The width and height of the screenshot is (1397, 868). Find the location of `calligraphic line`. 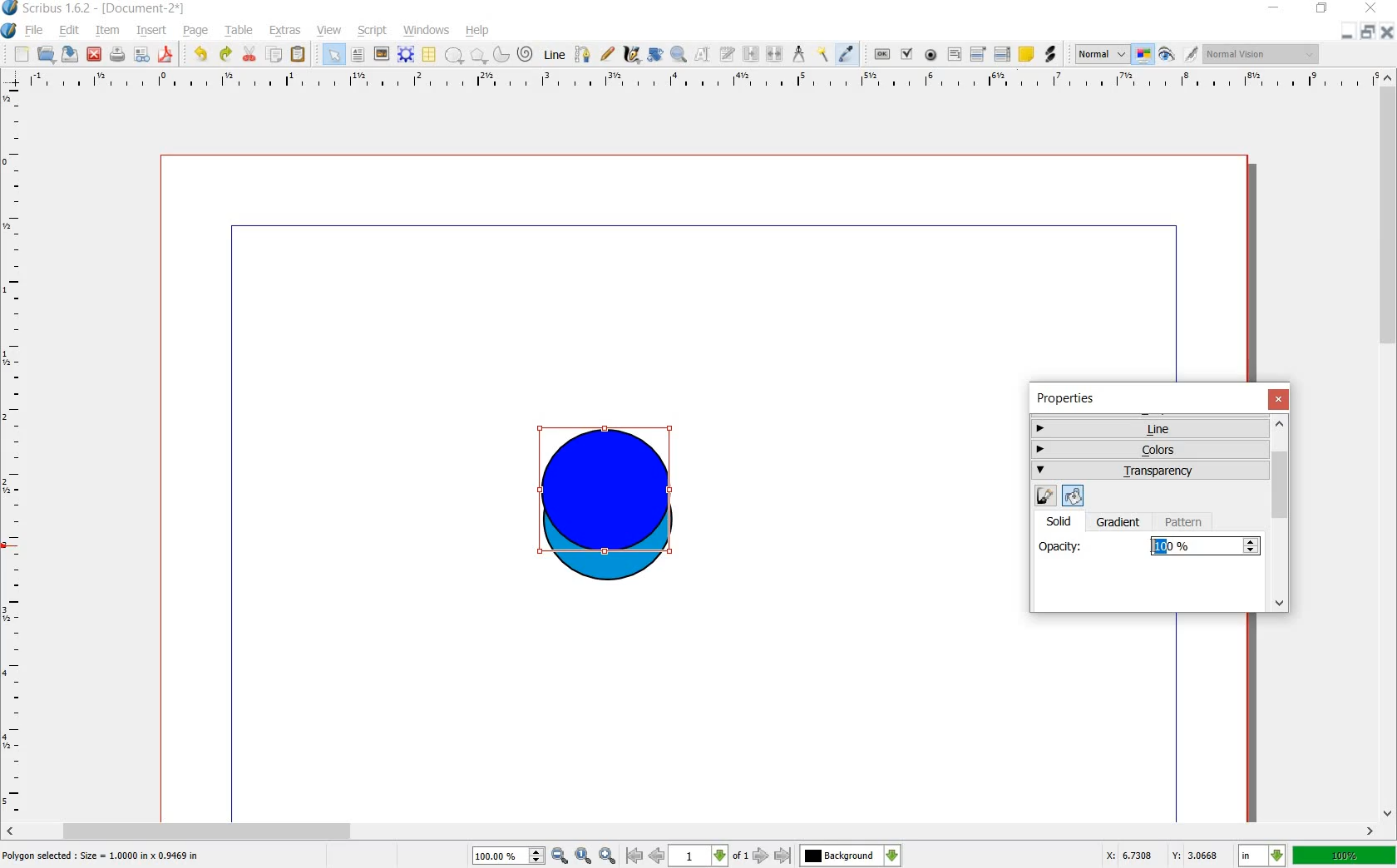

calligraphic line is located at coordinates (631, 57).